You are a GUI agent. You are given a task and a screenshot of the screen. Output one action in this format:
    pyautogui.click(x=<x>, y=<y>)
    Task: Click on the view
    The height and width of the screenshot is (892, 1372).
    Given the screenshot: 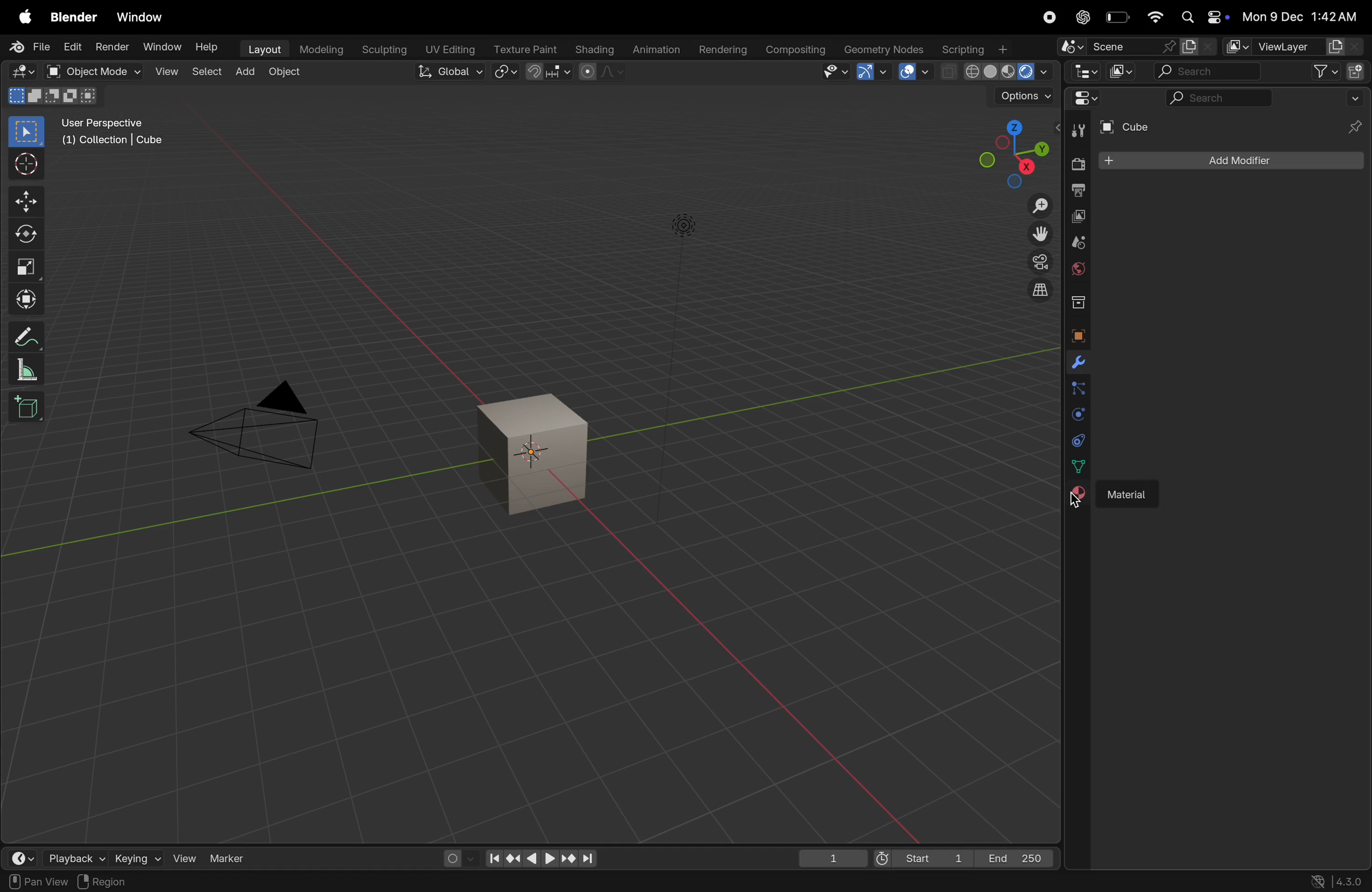 What is the action you would take?
    pyautogui.click(x=178, y=857)
    